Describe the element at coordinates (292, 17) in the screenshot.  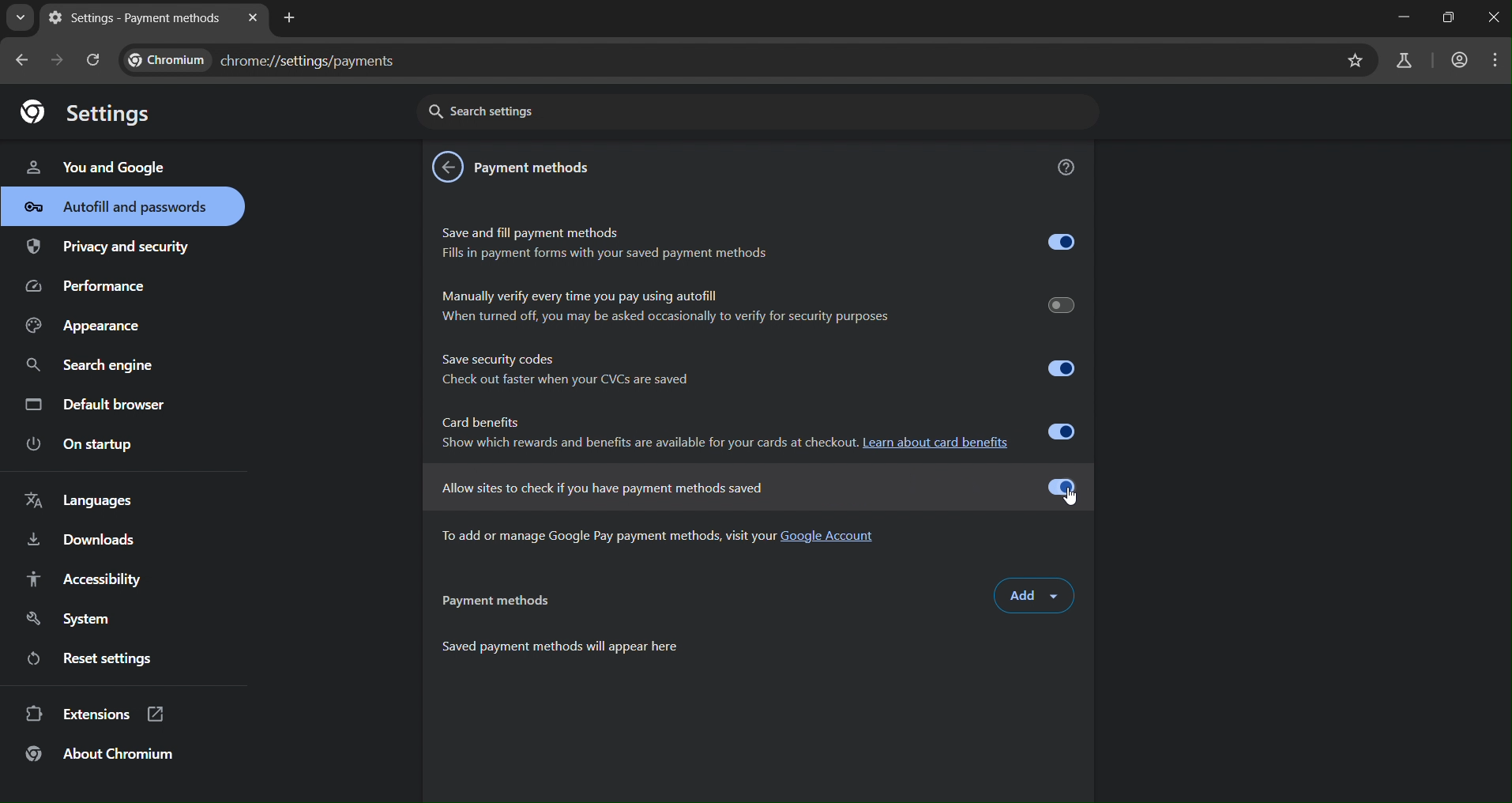
I see `new tab` at that location.